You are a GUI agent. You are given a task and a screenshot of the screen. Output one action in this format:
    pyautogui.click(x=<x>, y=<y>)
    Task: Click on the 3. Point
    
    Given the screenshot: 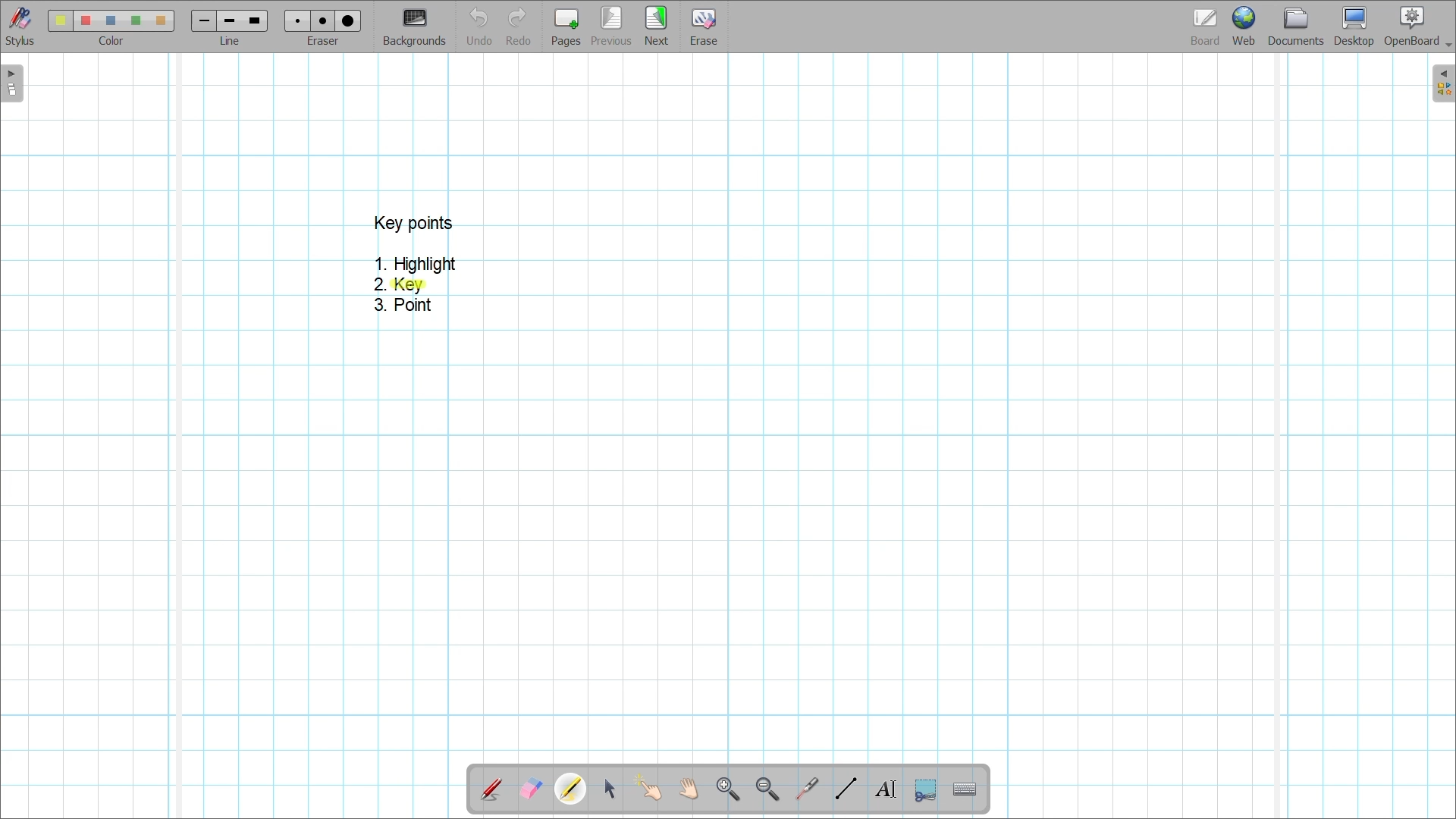 What is the action you would take?
    pyautogui.click(x=404, y=305)
    